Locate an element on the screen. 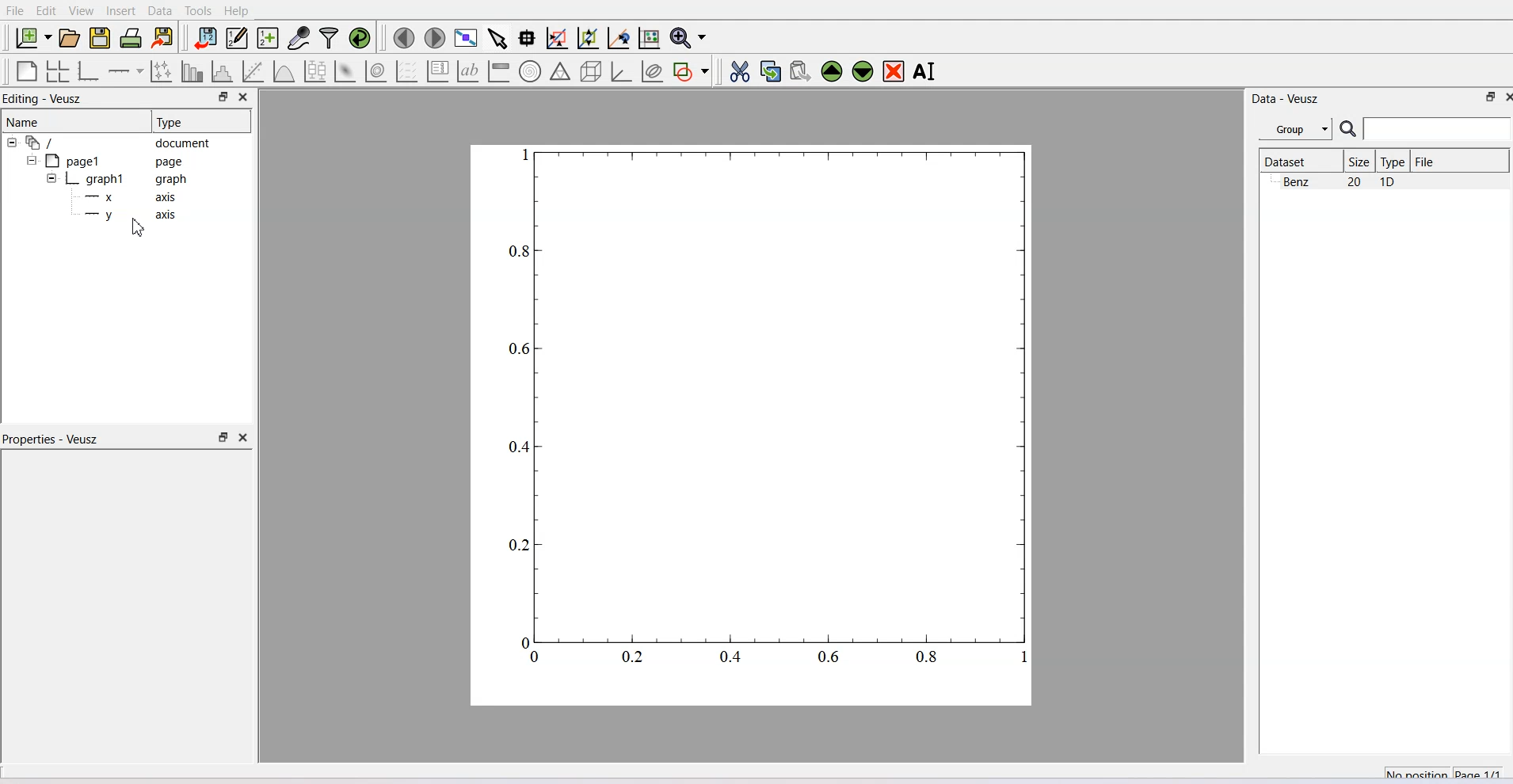 Image resolution: width=1513 pixels, height=784 pixels. Create a new dataset is located at coordinates (268, 38).